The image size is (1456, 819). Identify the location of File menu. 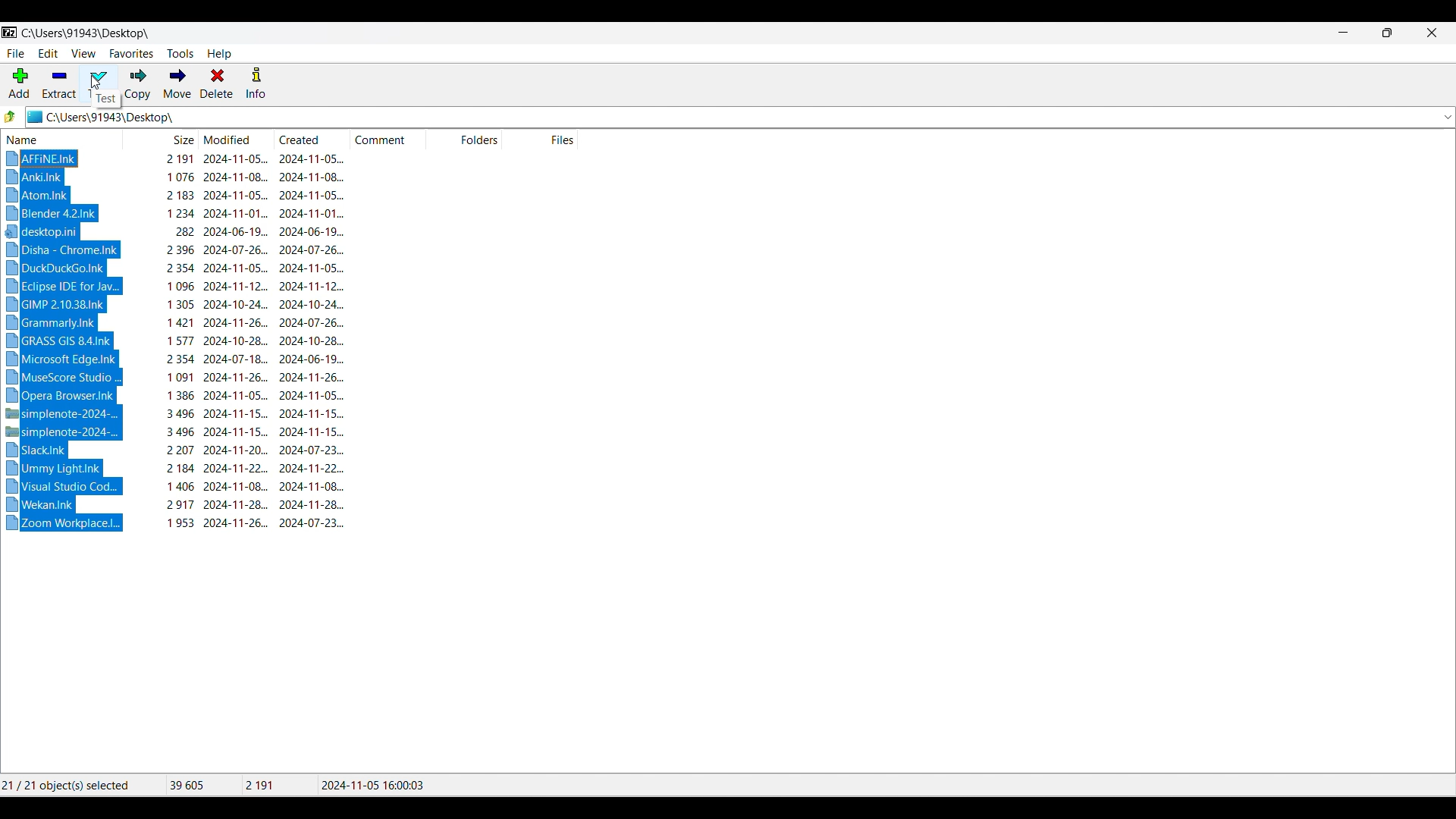
(16, 54).